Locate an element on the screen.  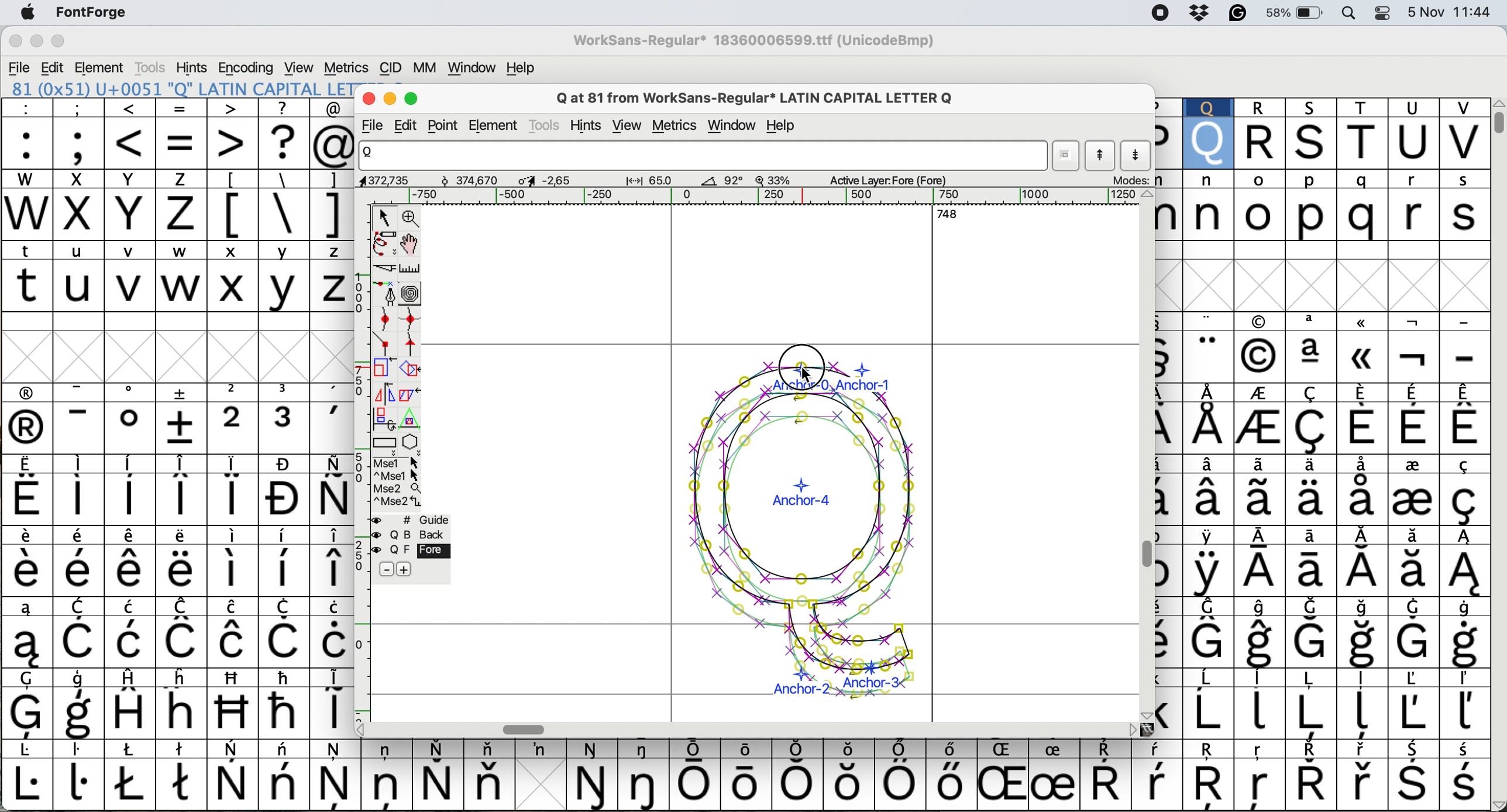
window is located at coordinates (732, 126).